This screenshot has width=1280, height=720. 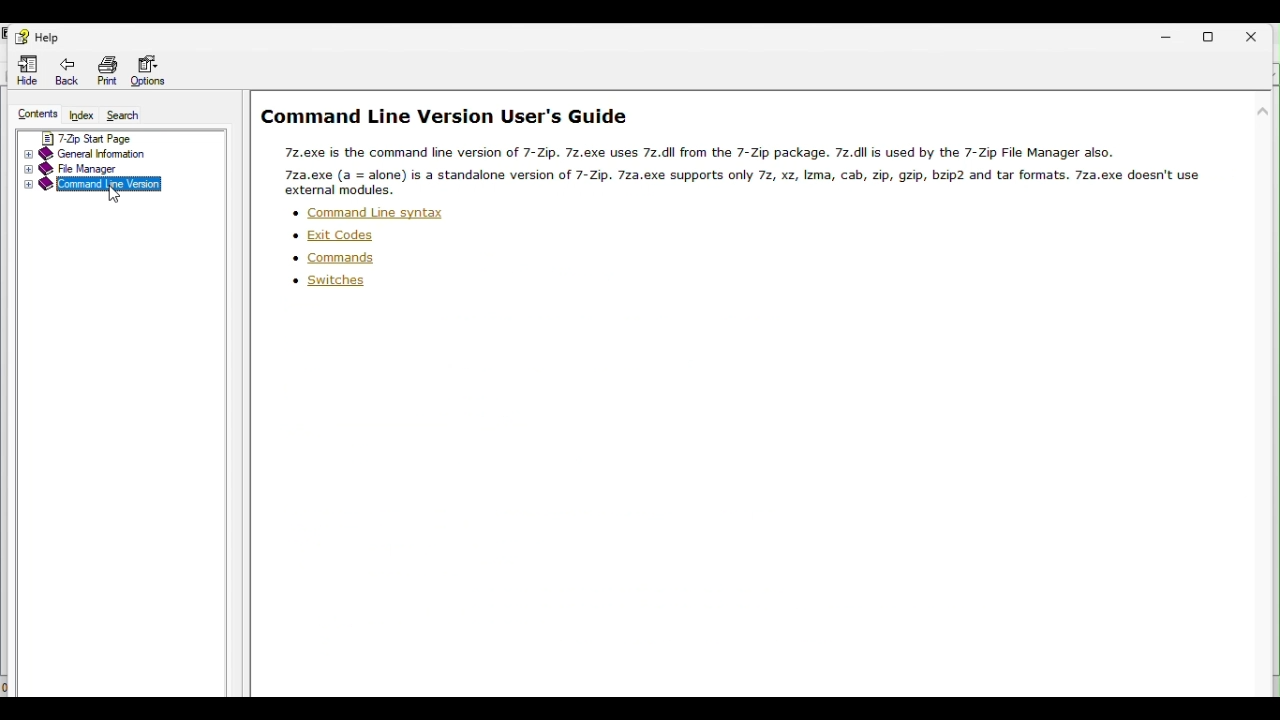 I want to click on Search, so click(x=124, y=116).